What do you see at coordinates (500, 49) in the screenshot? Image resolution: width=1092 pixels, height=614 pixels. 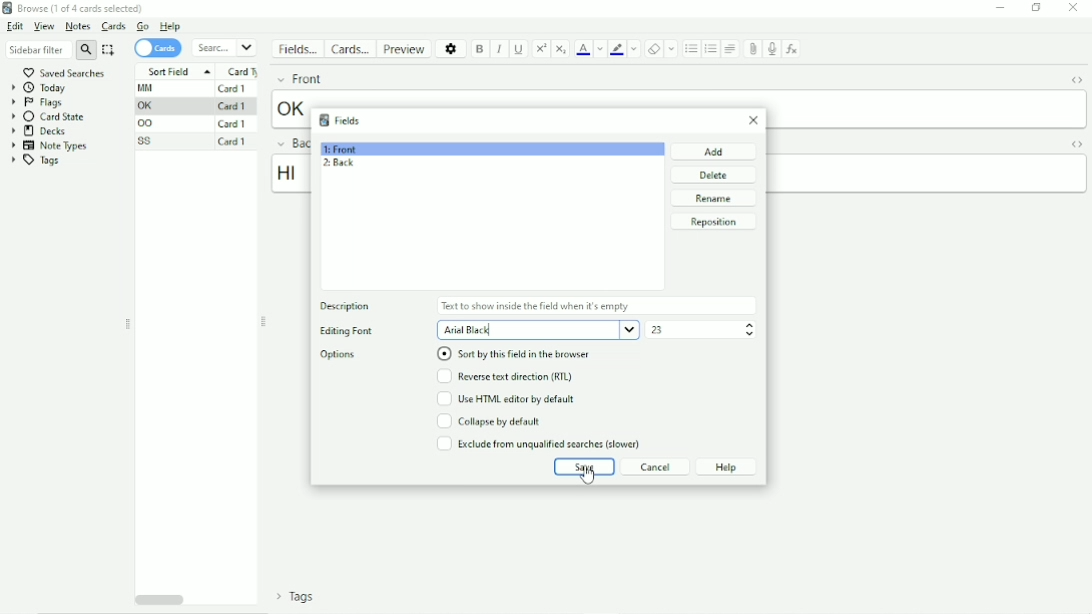 I see `Italic` at bounding box center [500, 49].